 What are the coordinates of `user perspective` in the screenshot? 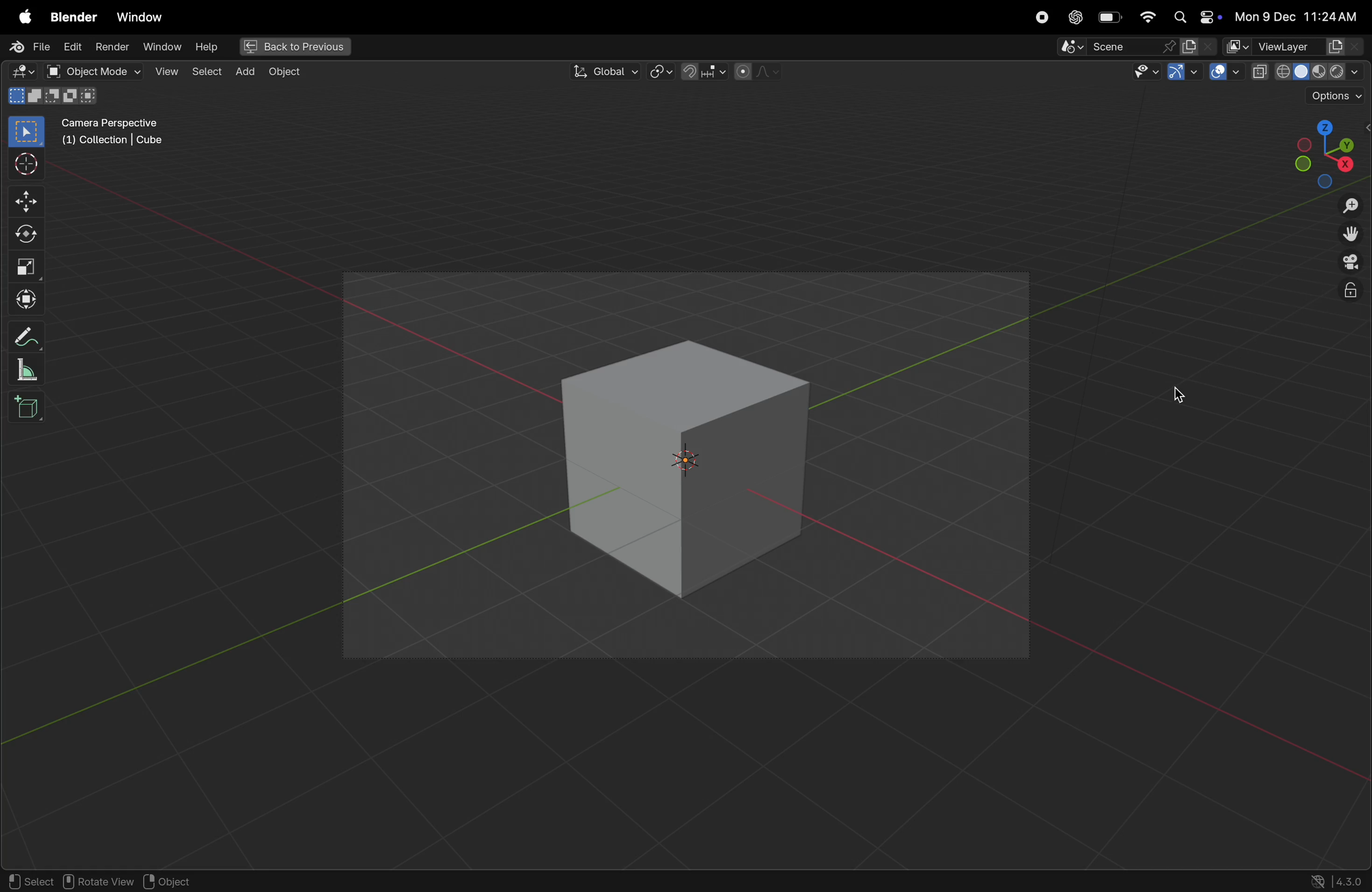 It's located at (126, 131).